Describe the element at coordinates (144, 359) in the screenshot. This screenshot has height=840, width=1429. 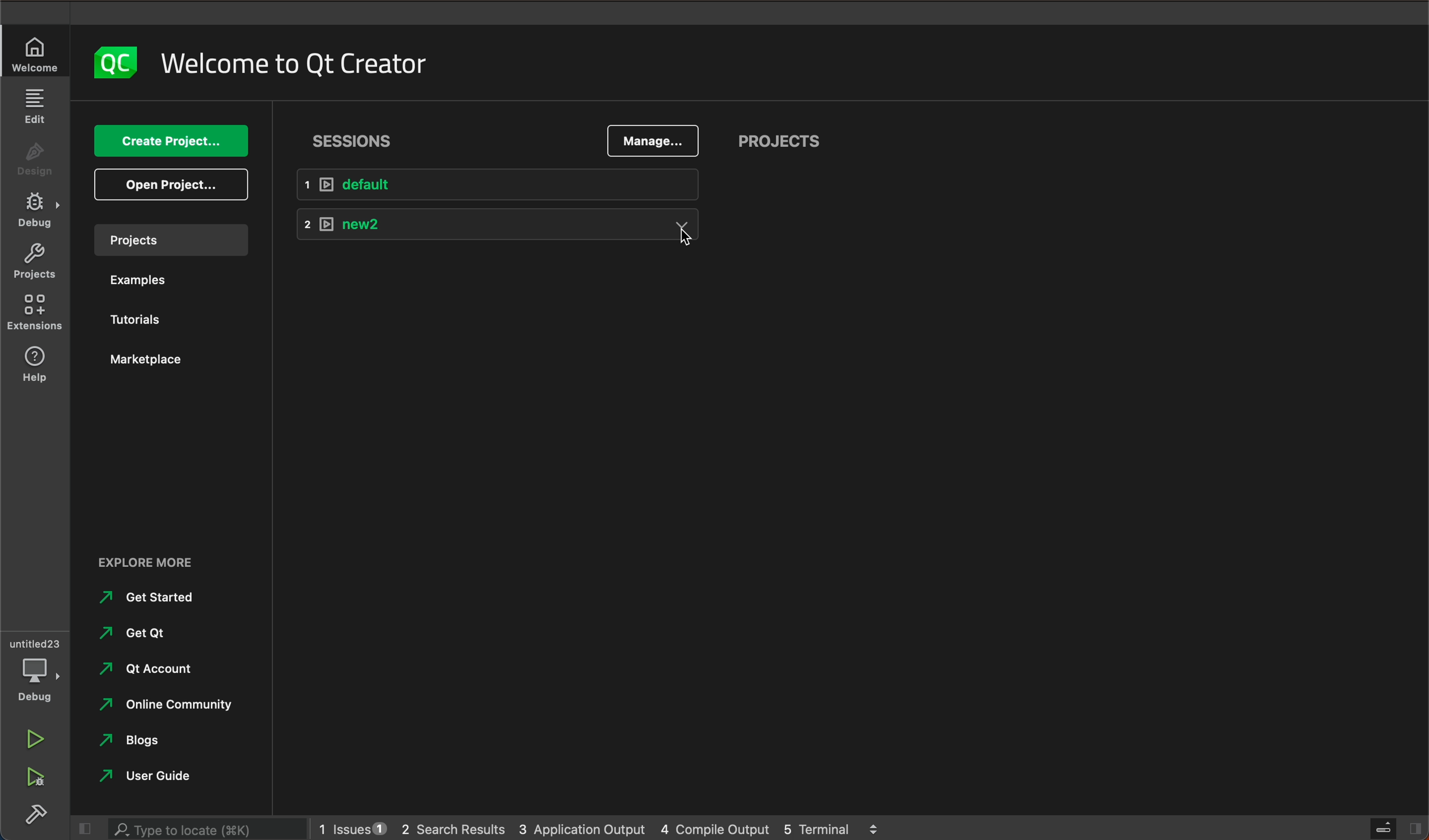
I see `marketplace` at that location.